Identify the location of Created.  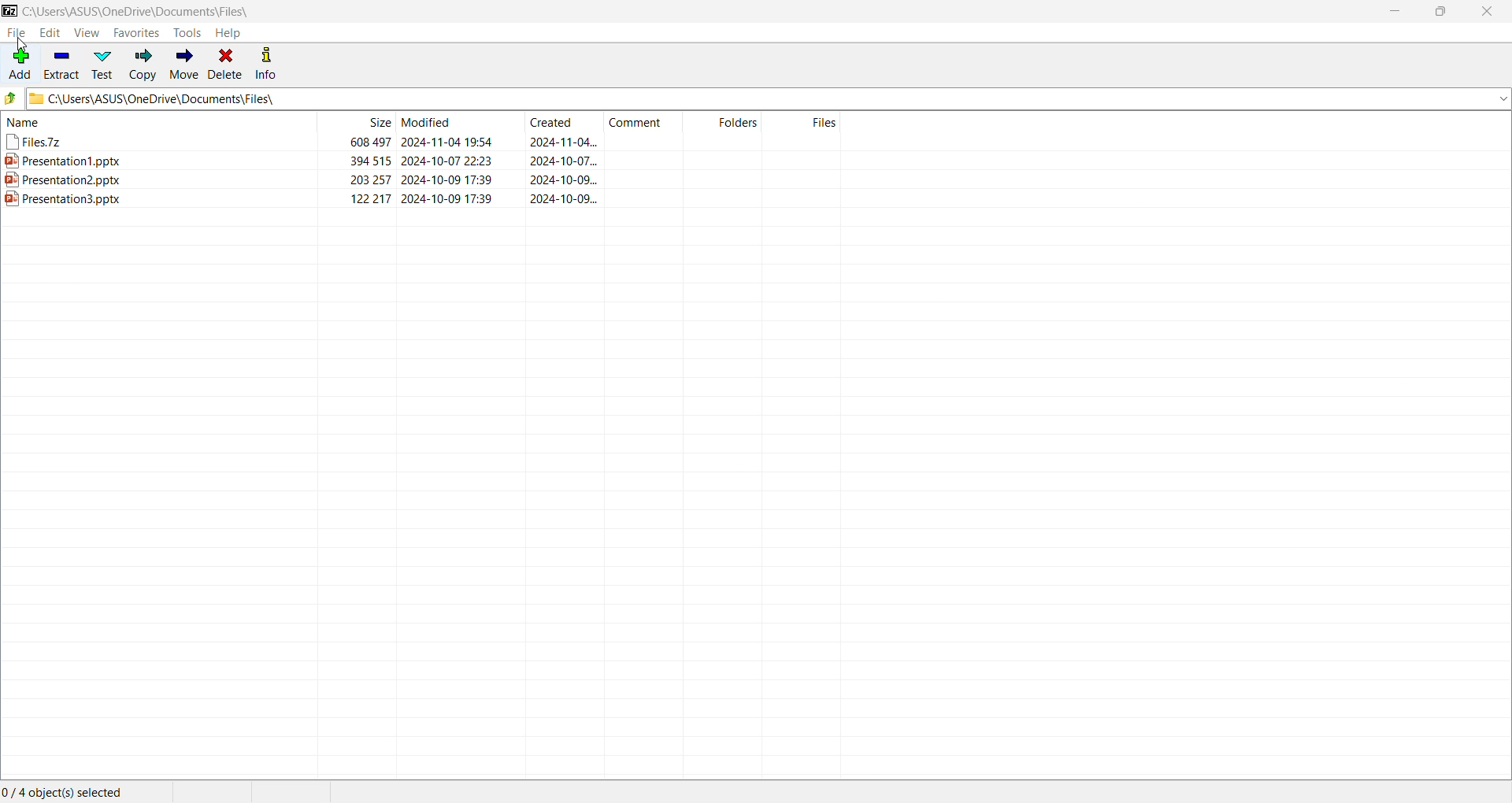
(551, 124).